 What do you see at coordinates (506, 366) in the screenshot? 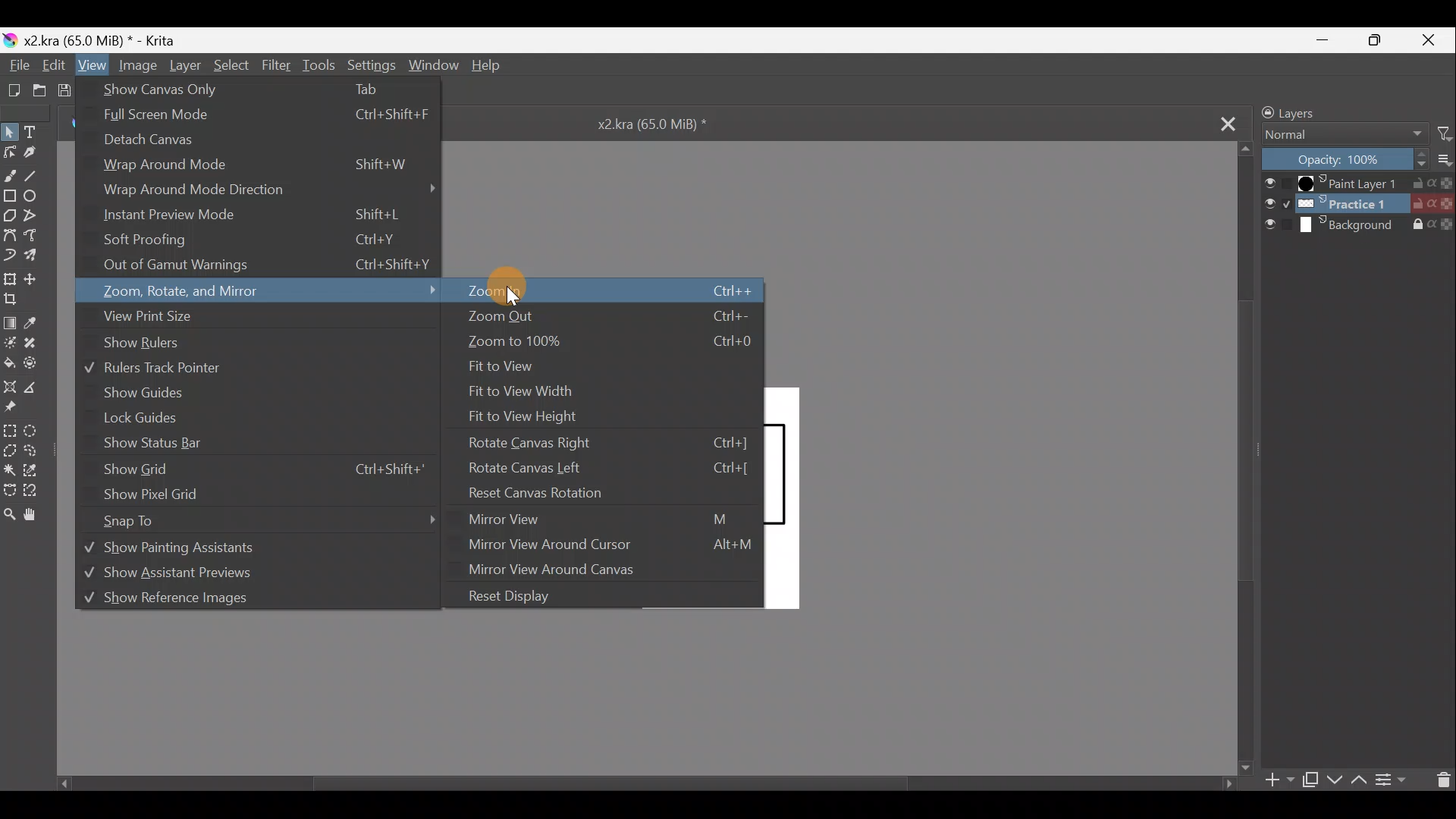
I see `Fit to view` at bounding box center [506, 366].